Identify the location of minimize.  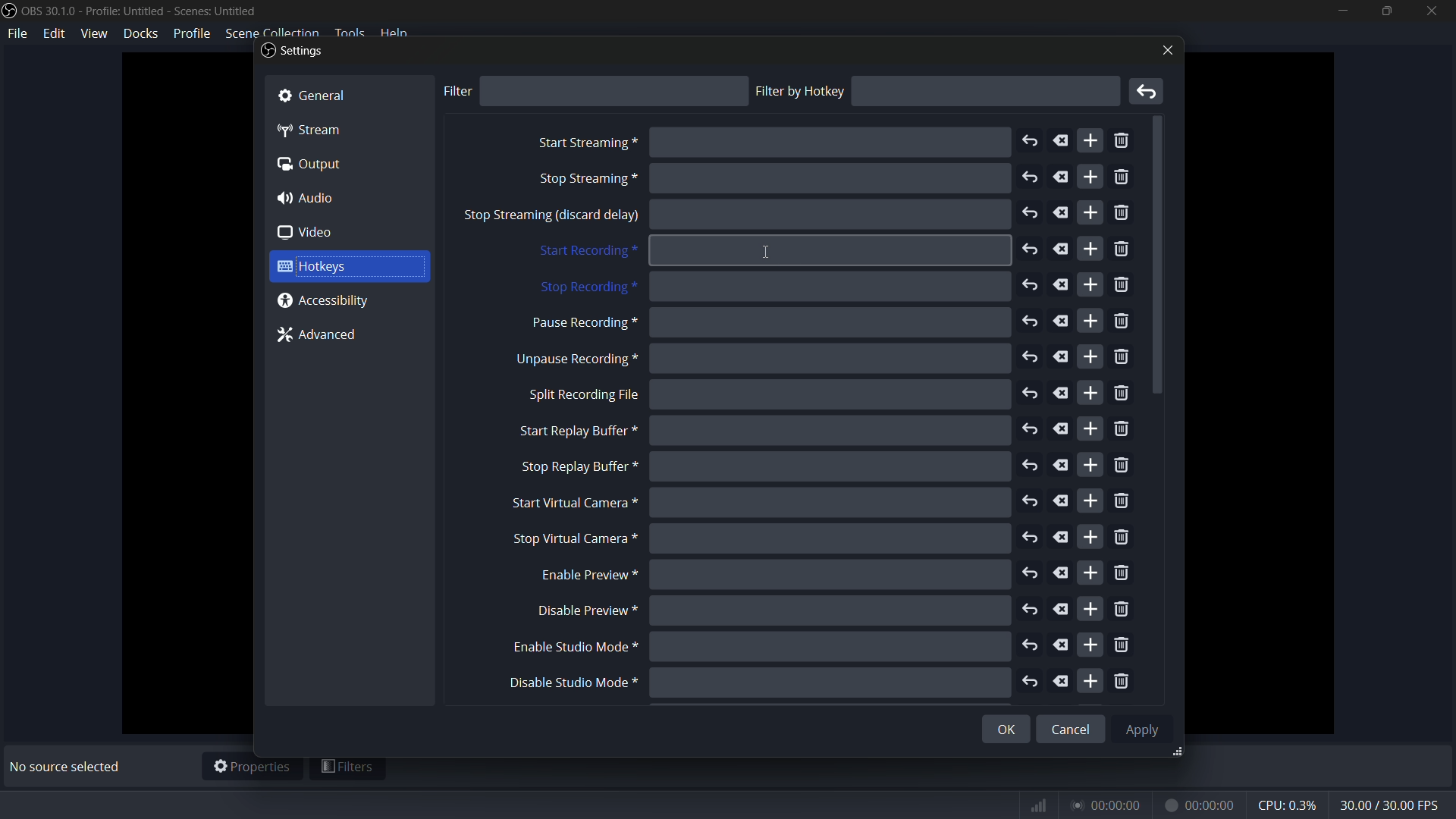
(1342, 11).